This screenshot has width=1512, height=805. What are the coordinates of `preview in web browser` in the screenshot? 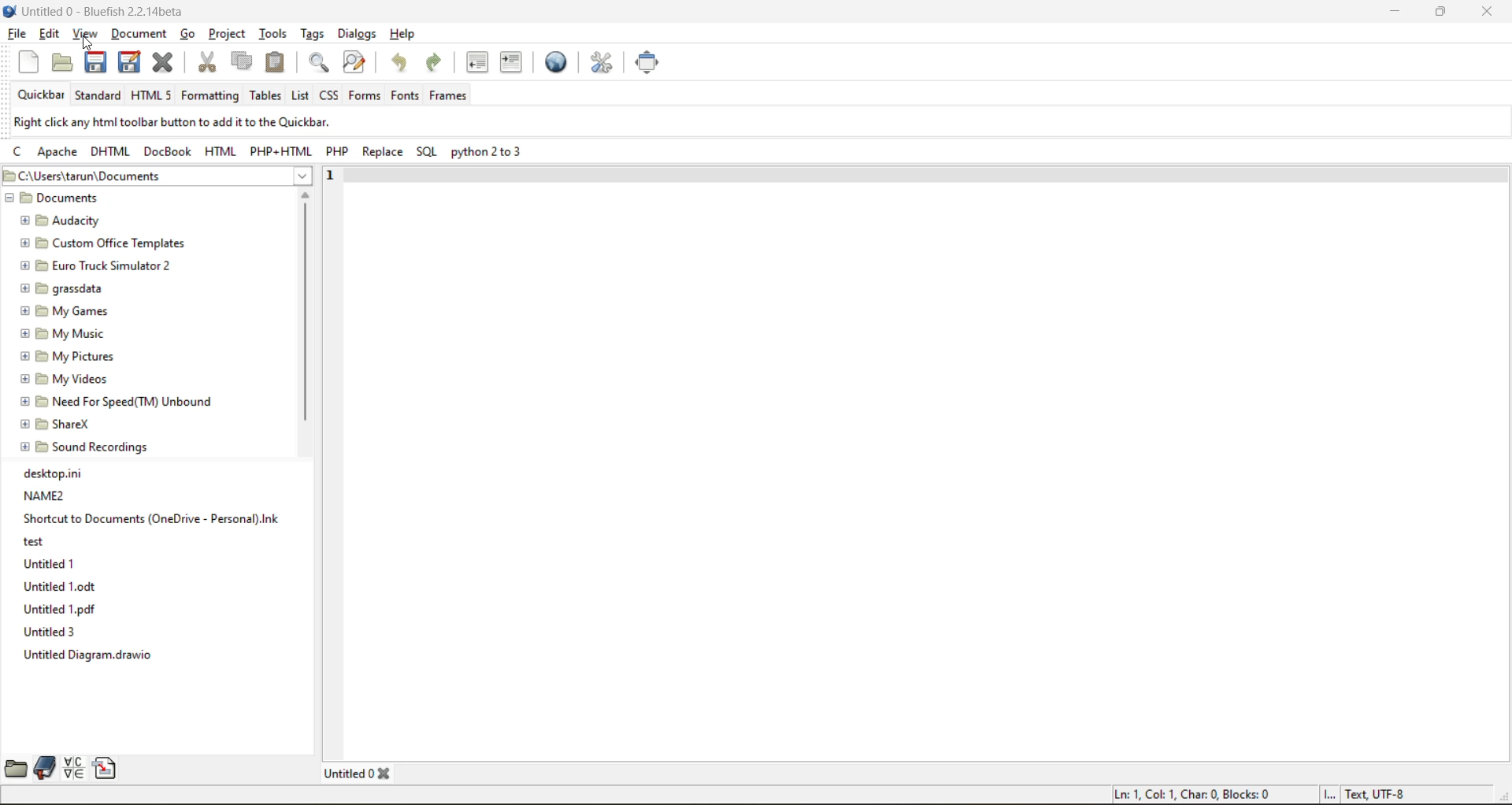 It's located at (558, 63).